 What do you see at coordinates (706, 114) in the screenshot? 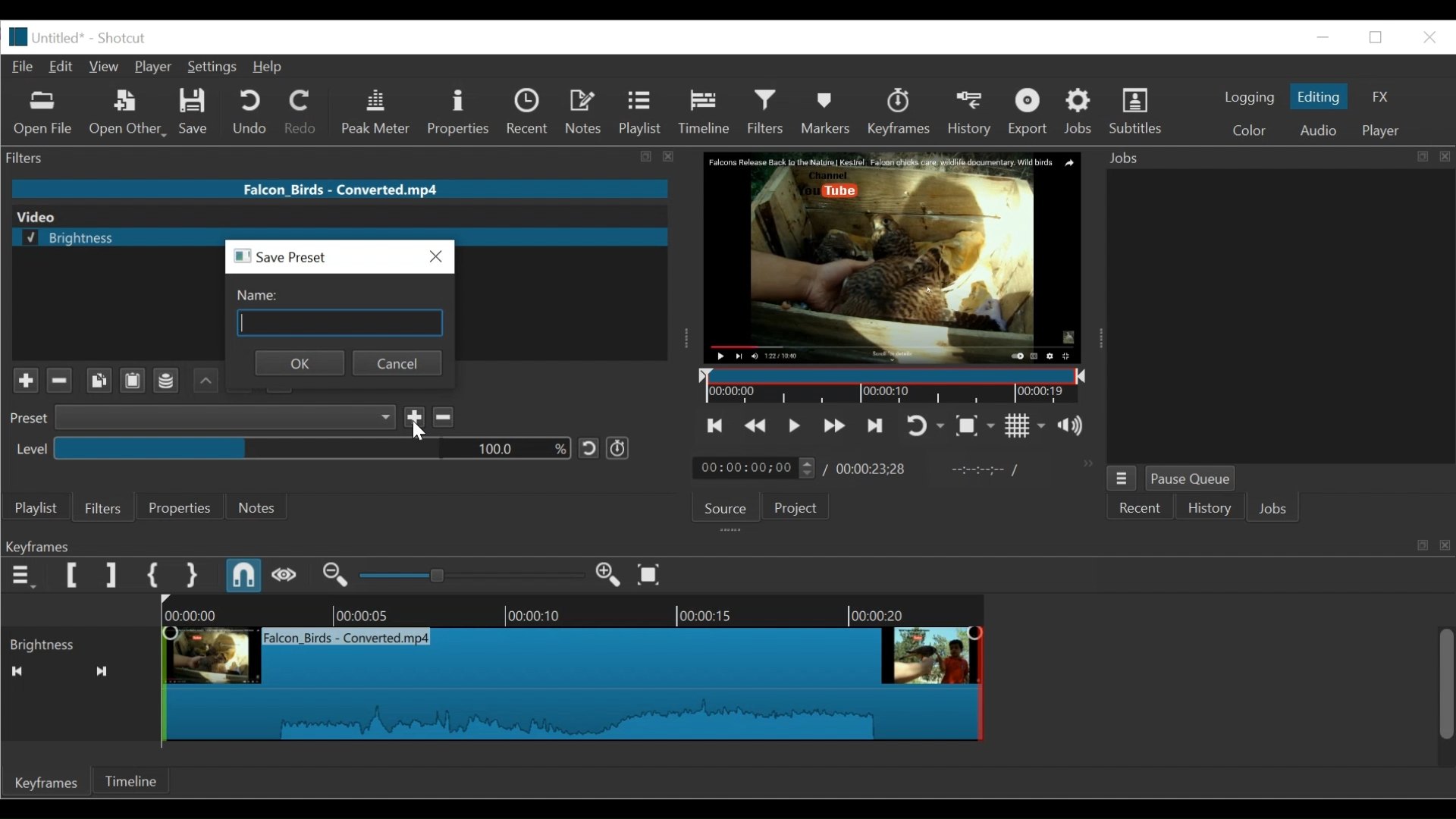
I see `Timeline` at bounding box center [706, 114].